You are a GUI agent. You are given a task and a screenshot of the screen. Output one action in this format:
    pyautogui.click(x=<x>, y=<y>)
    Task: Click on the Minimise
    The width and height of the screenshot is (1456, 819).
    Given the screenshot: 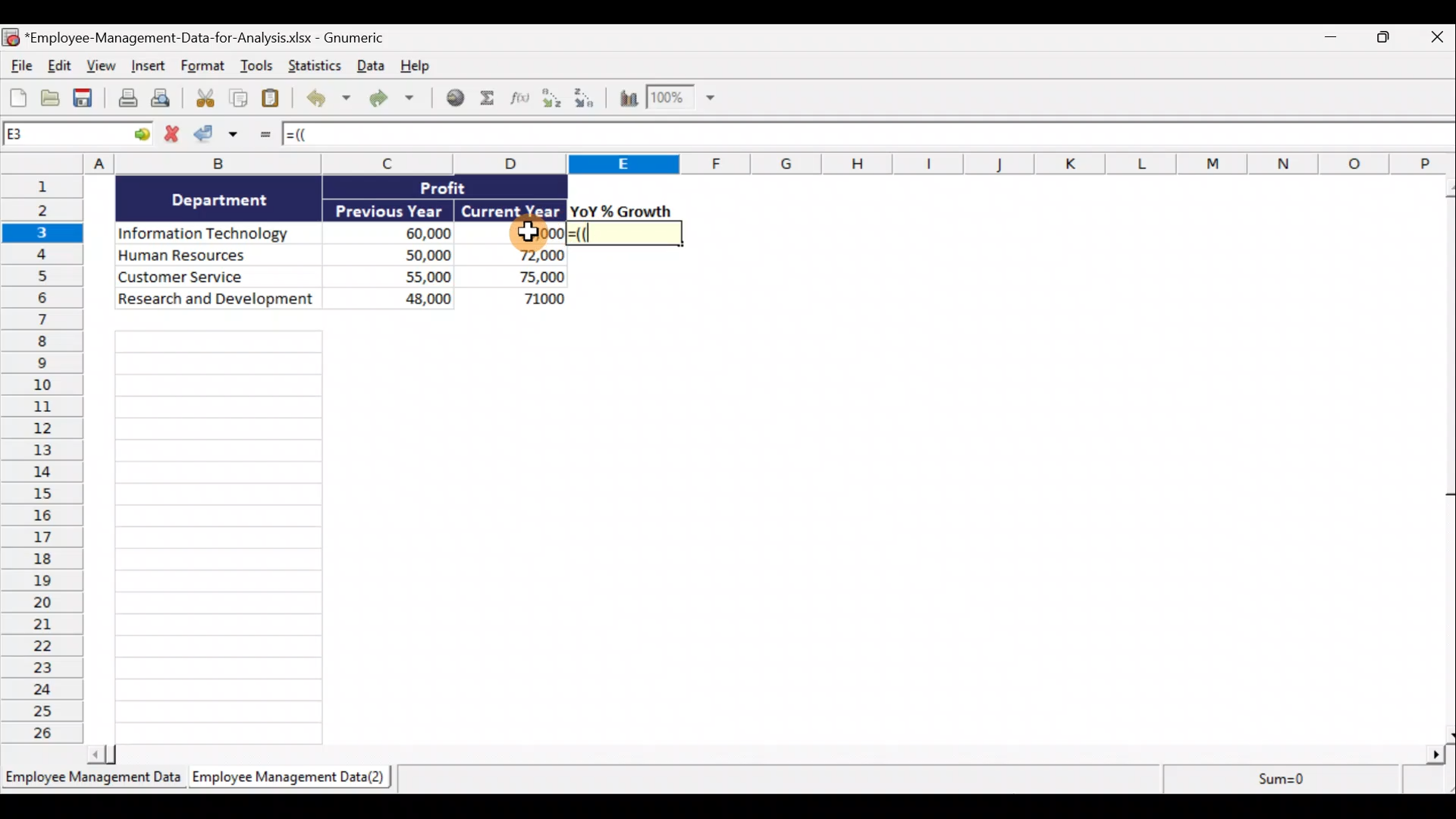 What is the action you would take?
    pyautogui.click(x=1328, y=40)
    